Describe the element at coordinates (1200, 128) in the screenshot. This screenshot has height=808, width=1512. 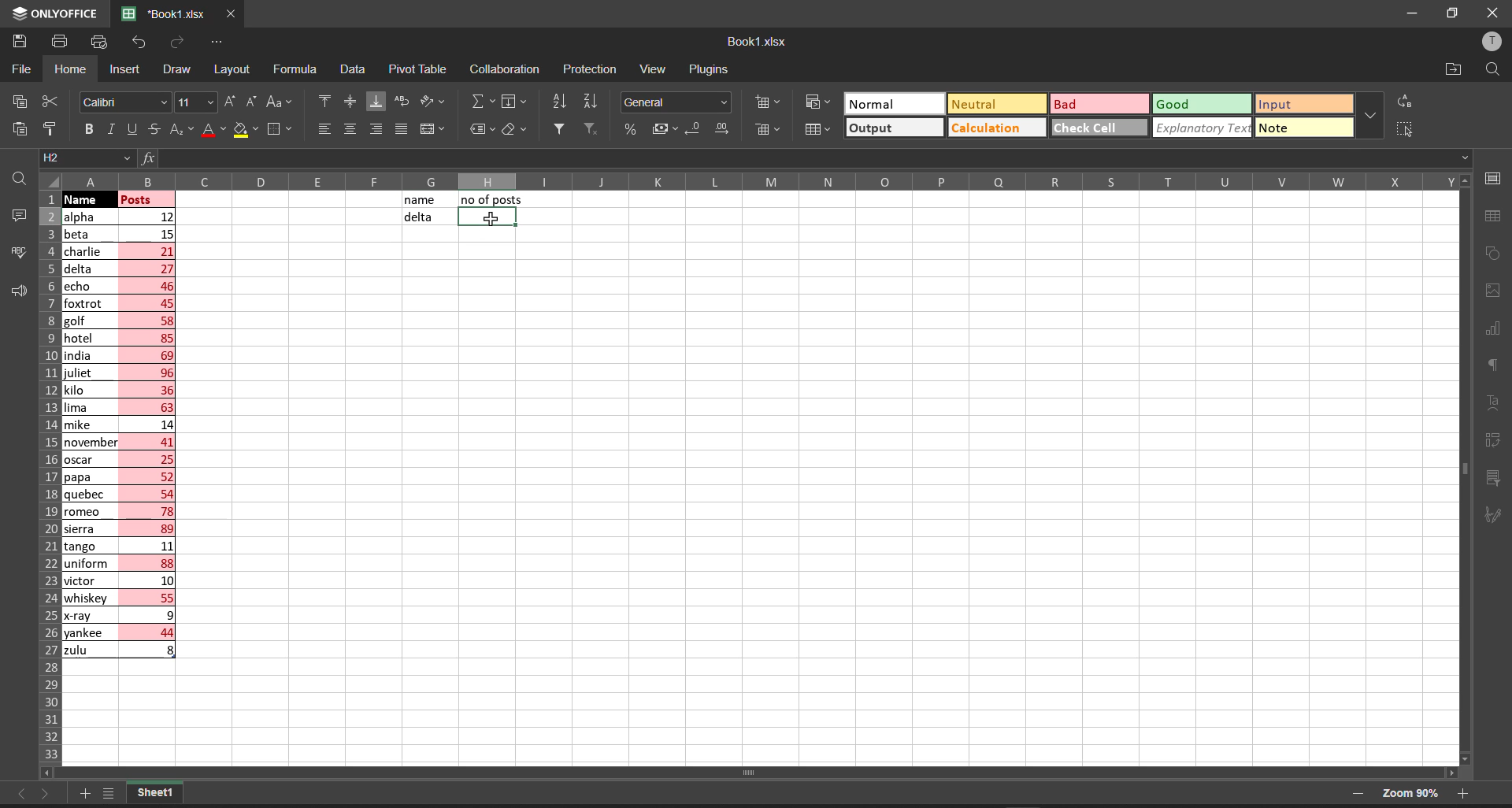
I see `explanatory Text` at that location.